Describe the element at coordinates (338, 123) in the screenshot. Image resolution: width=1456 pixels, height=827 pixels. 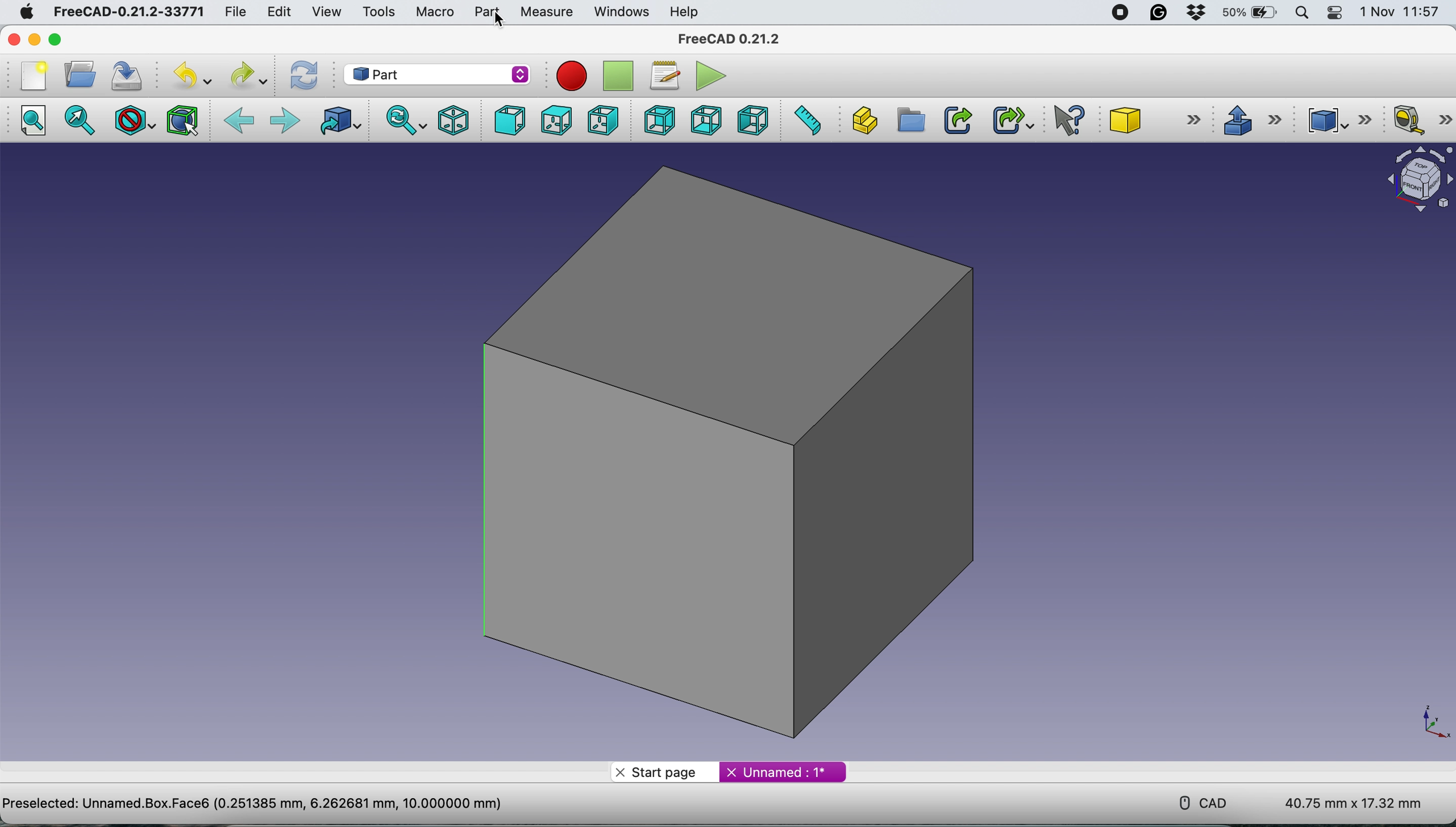
I see `go to linked object` at that location.